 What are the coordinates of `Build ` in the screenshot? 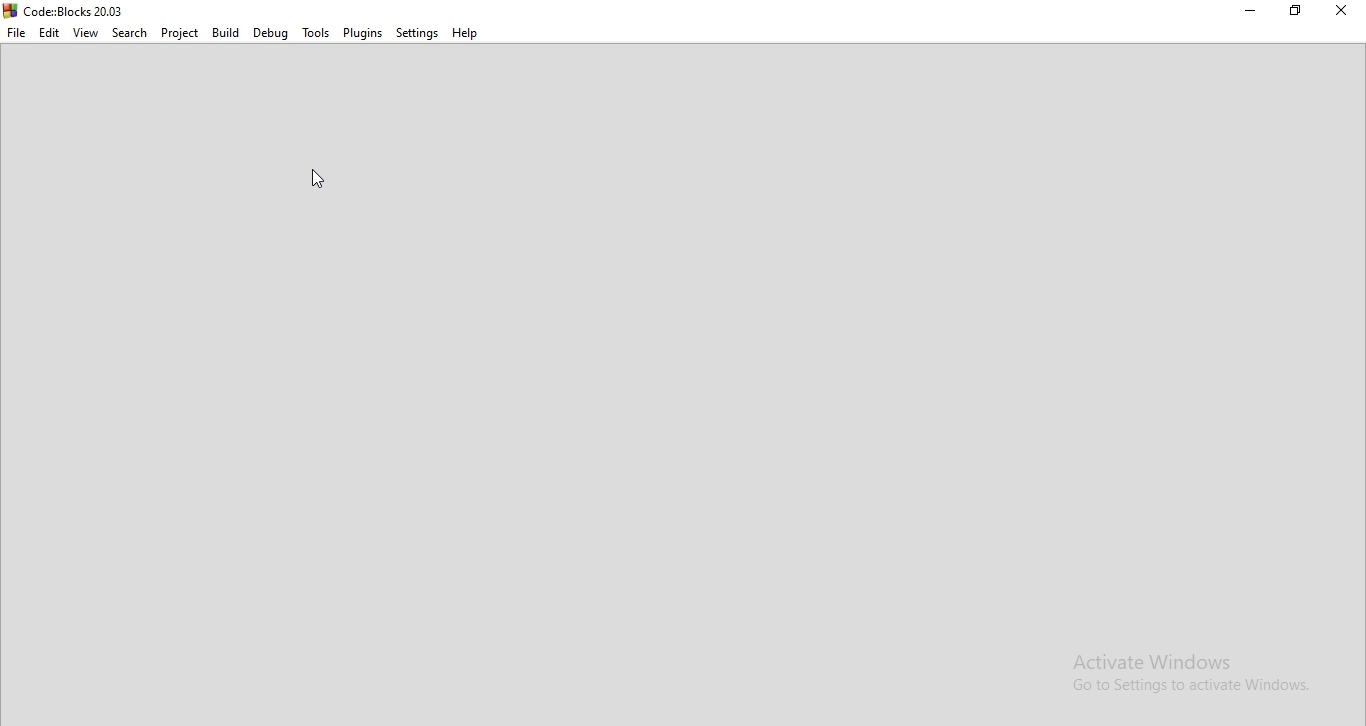 It's located at (224, 33).